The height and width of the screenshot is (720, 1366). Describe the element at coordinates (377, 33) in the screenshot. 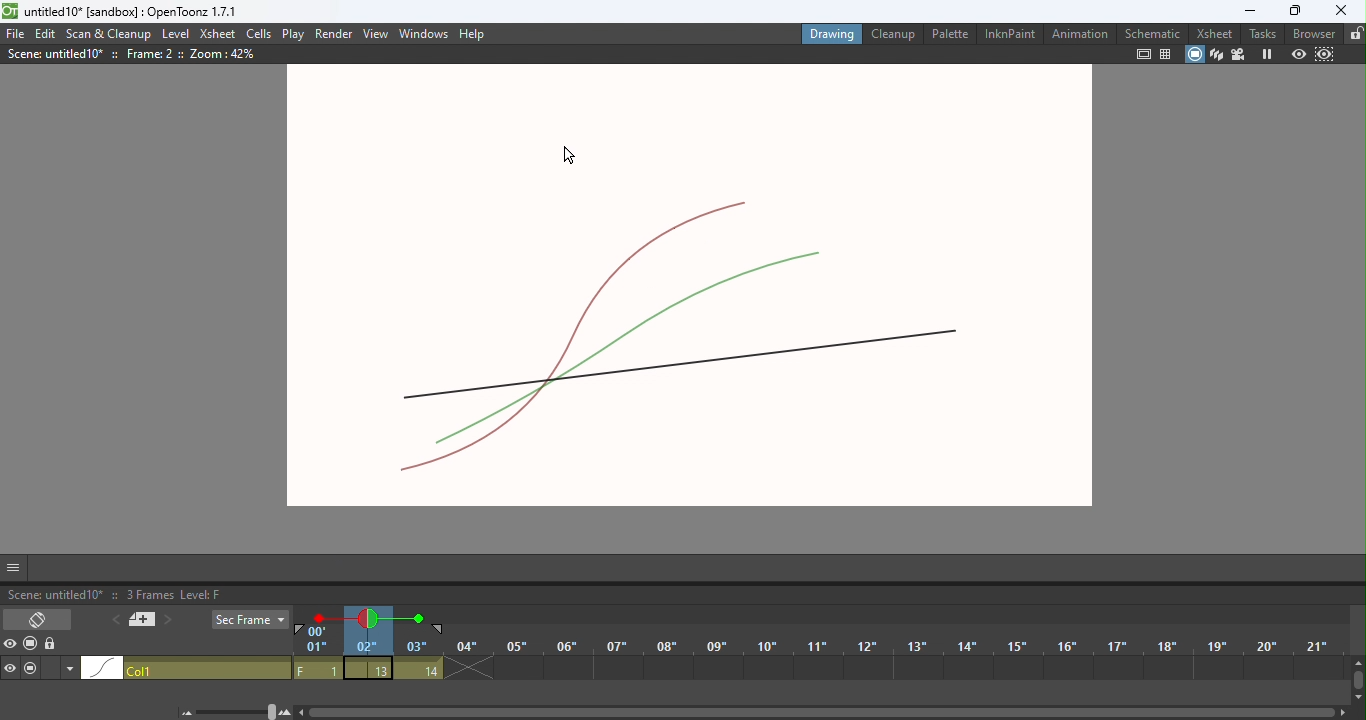

I see `View` at that location.